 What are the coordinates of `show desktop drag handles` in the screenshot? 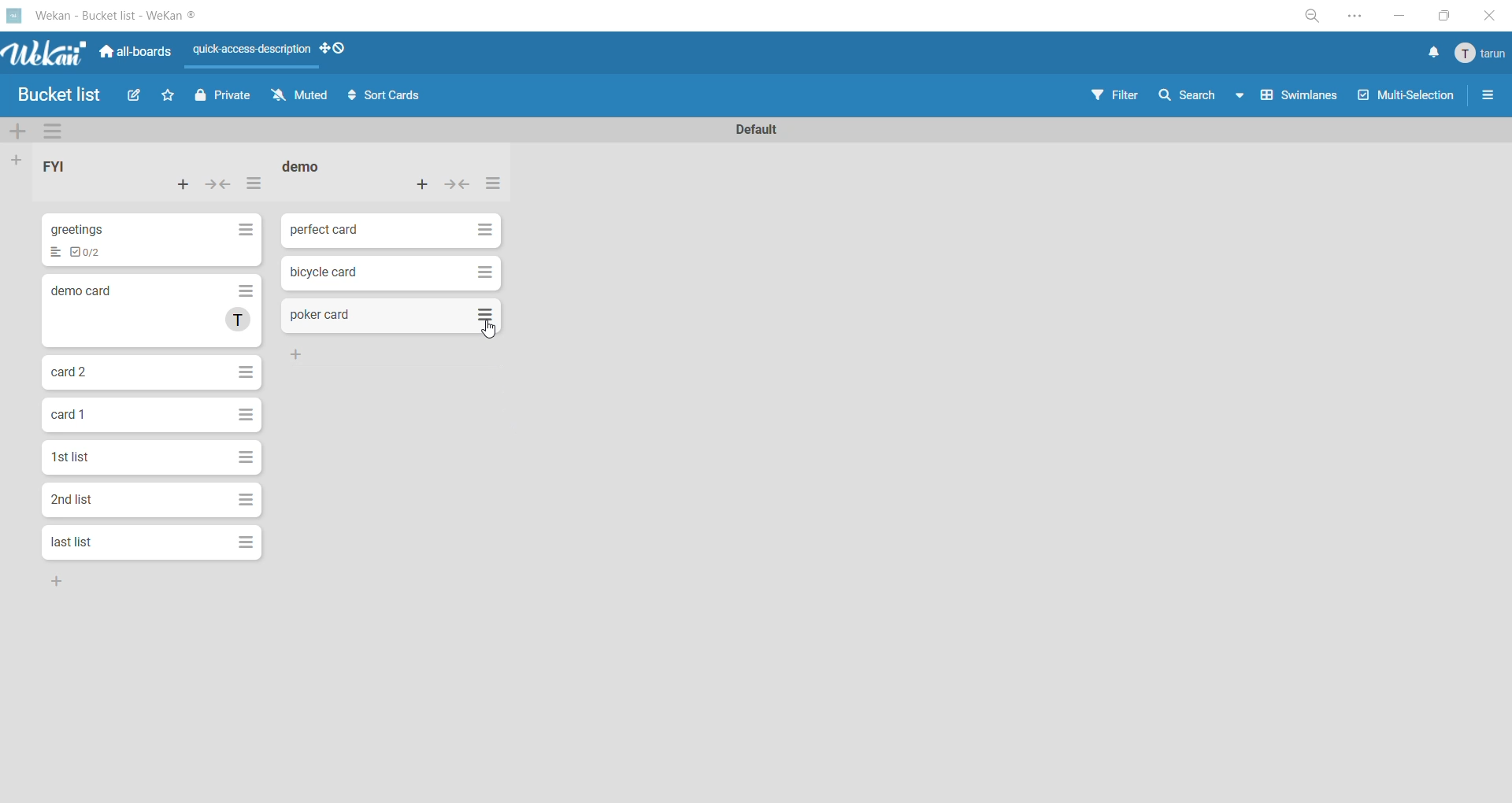 It's located at (339, 50).